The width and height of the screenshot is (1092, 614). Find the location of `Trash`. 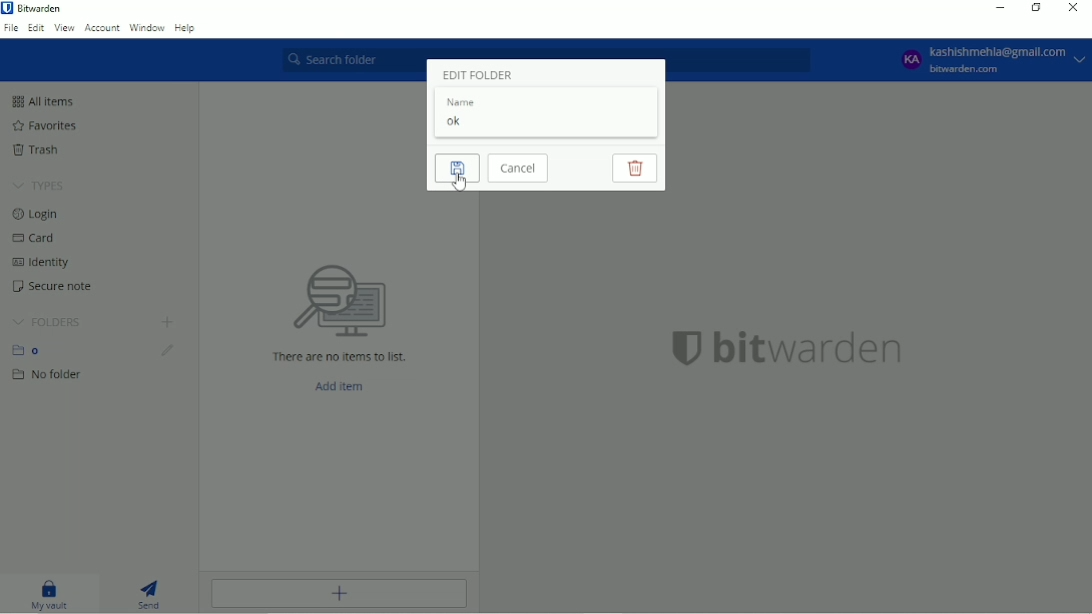

Trash is located at coordinates (39, 150).